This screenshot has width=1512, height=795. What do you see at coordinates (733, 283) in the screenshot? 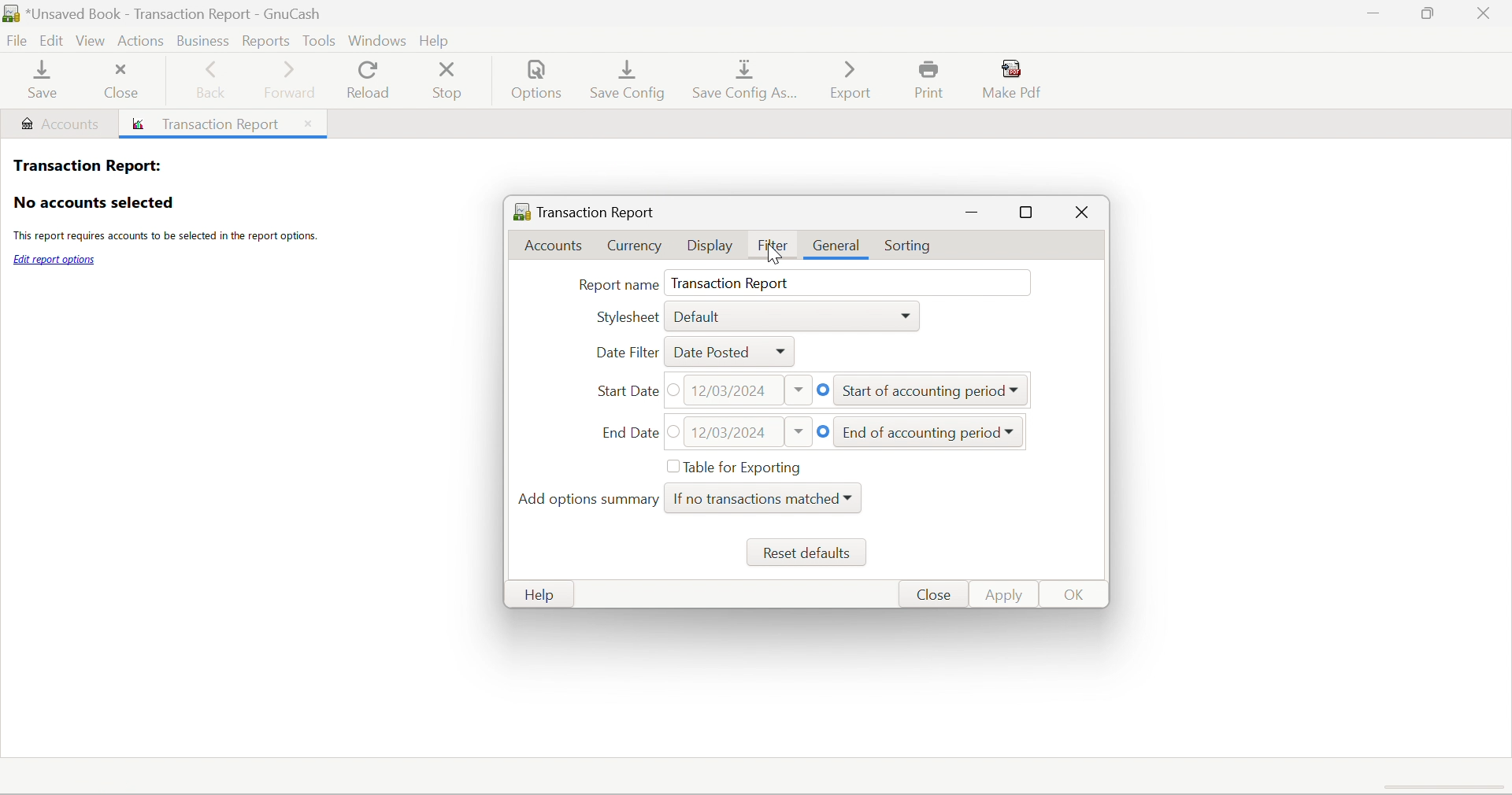
I see `Transaction Report` at bounding box center [733, 283].